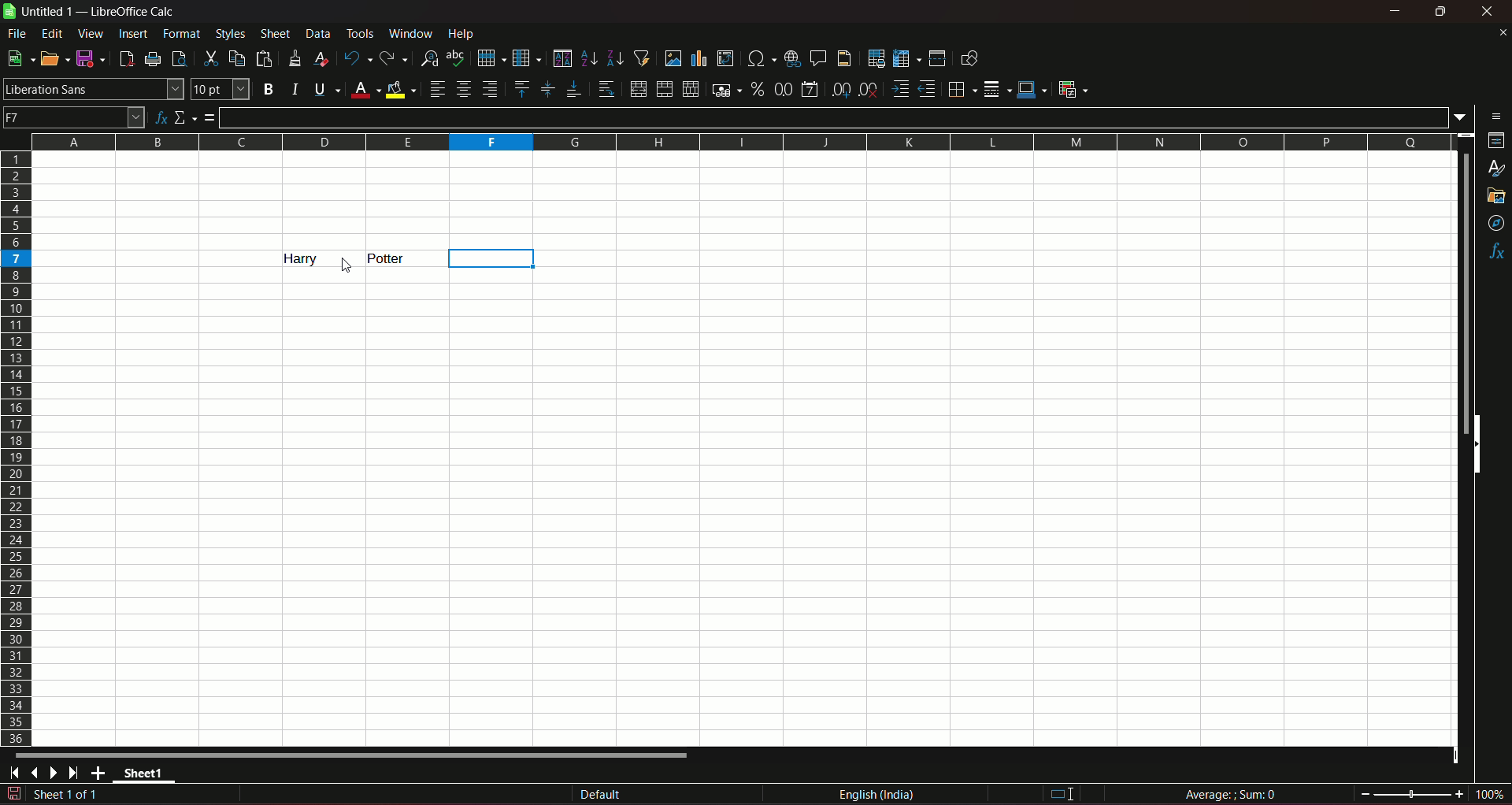 Image resolution: width=1512 pixels, height=805 pixels. Describe the element at coordinates (91, 34) in the screenshot. I see `view` at that location.